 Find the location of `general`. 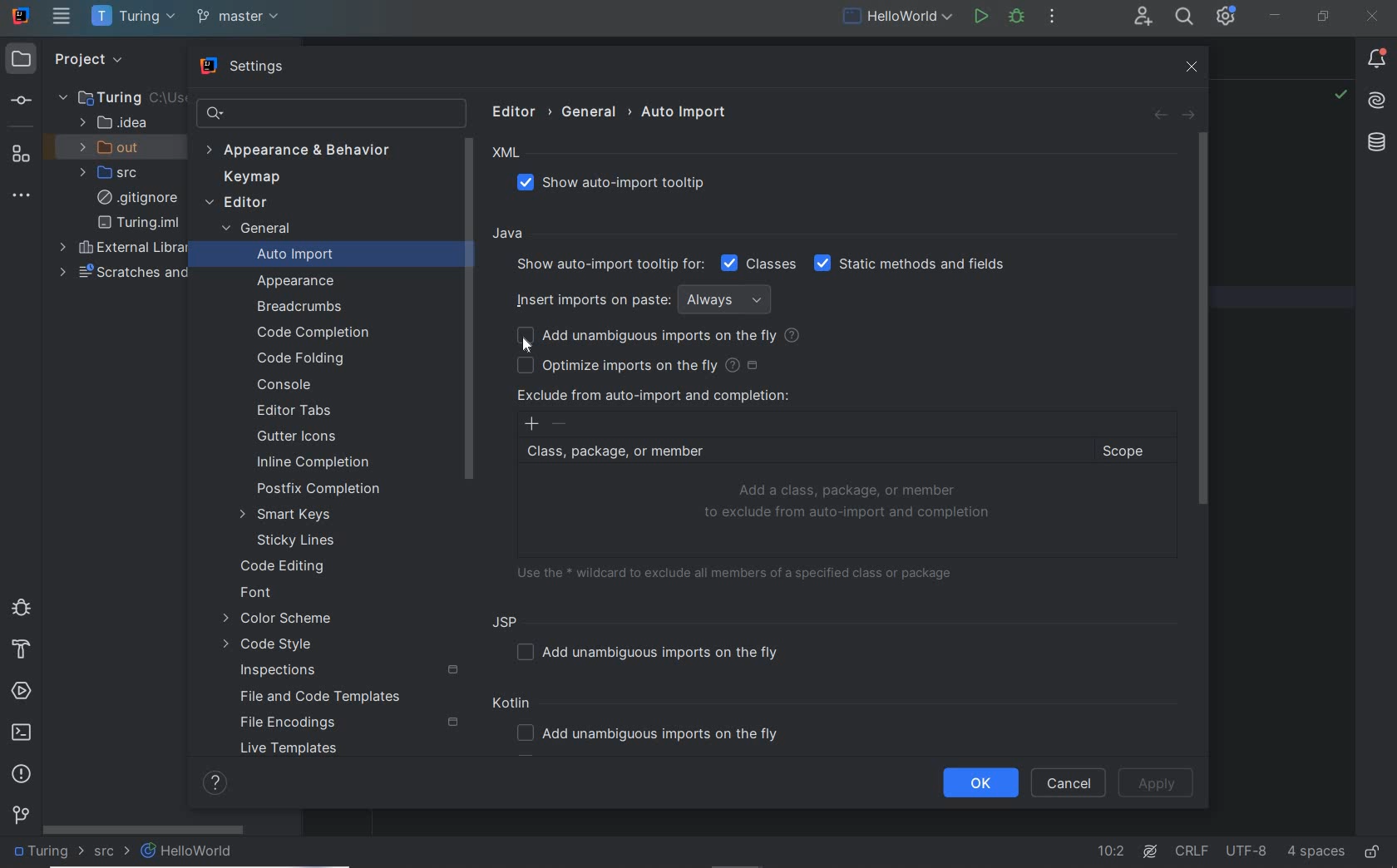

general is located at coordinates (592, 111).